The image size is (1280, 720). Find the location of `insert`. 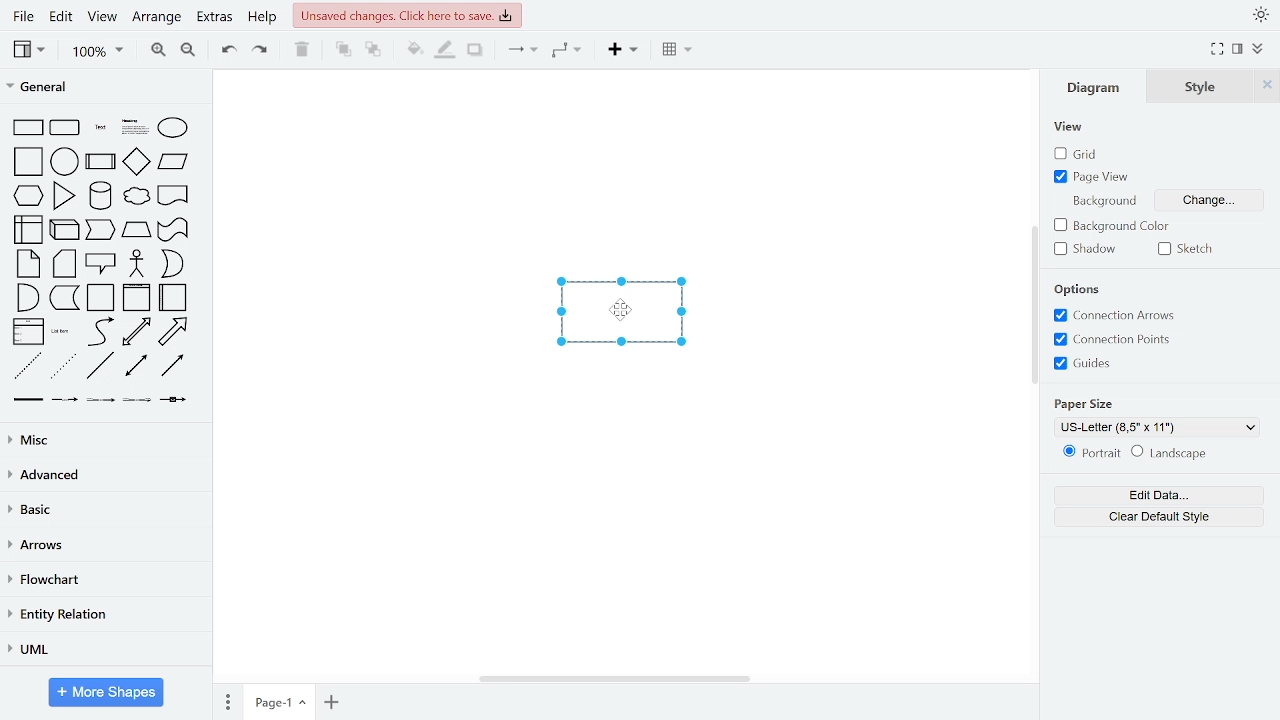

insert is located at coordinates (622, 51).